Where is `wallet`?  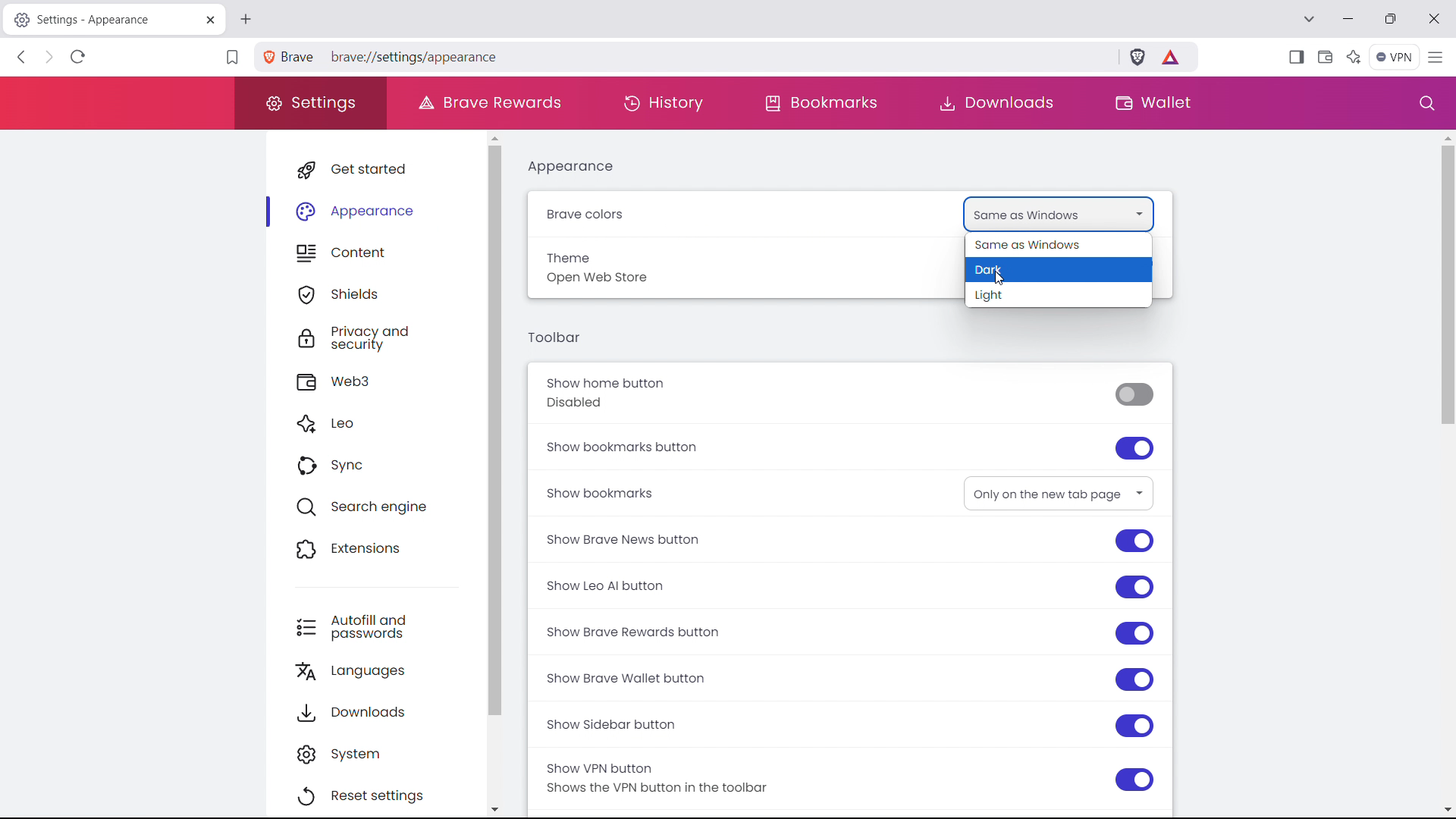
wallet is located at coordinates (1151, 104).